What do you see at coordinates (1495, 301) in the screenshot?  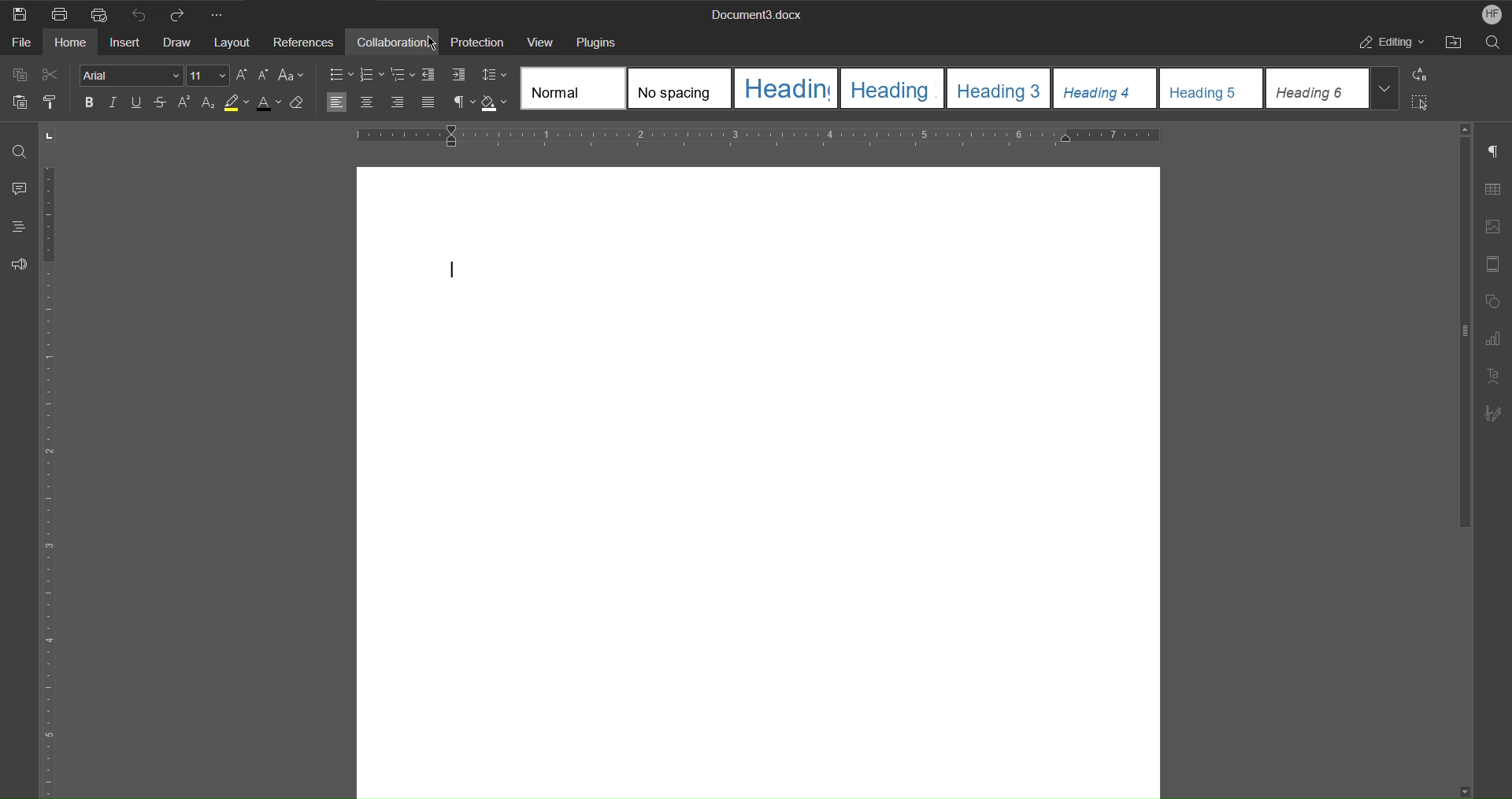 I see `Shape Settings` at bounding box center [1495, 301].